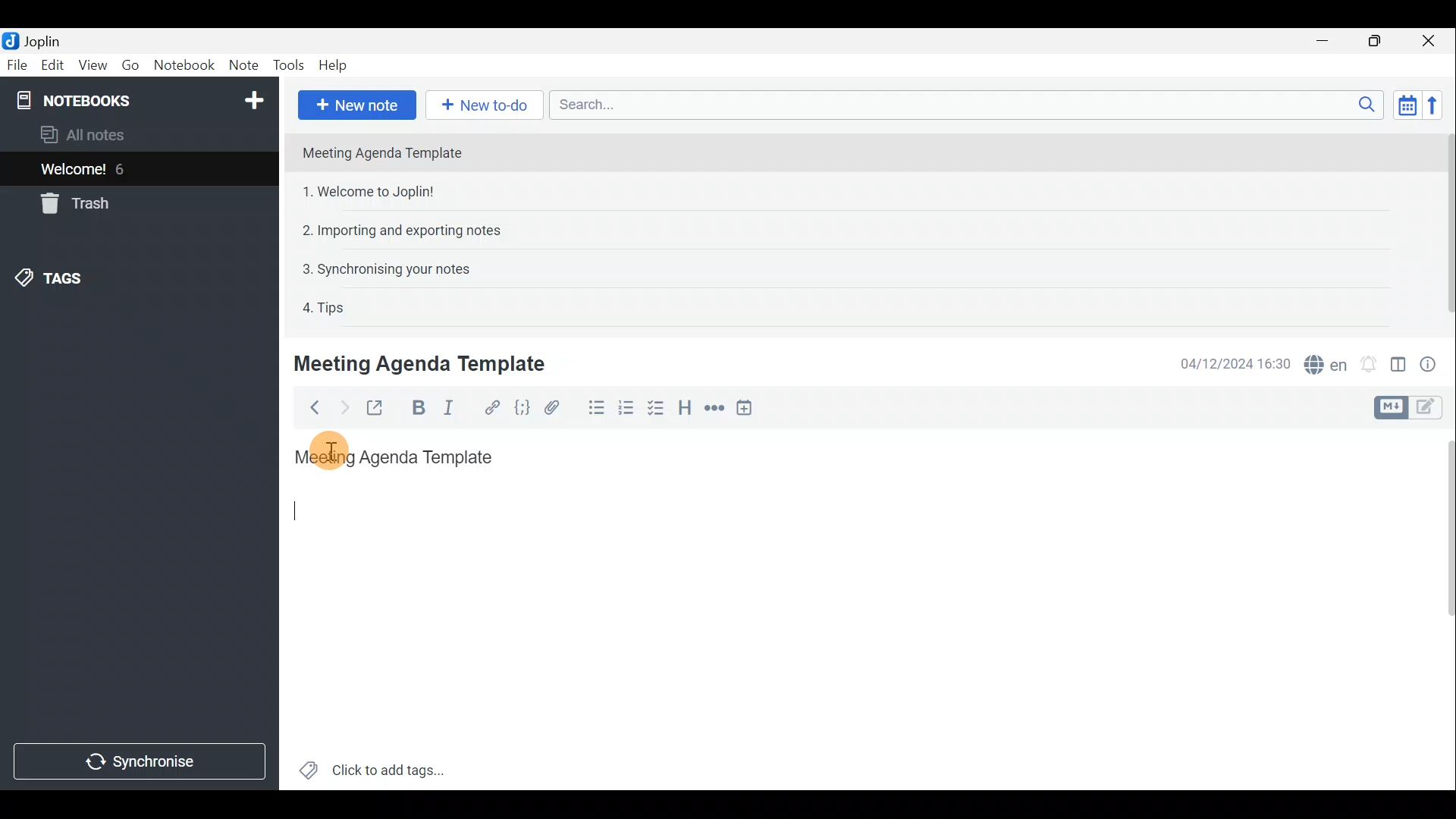  Describe the element at coordinates (1433, 105) in the screenshot. I see `Reverse sort order` at that location.